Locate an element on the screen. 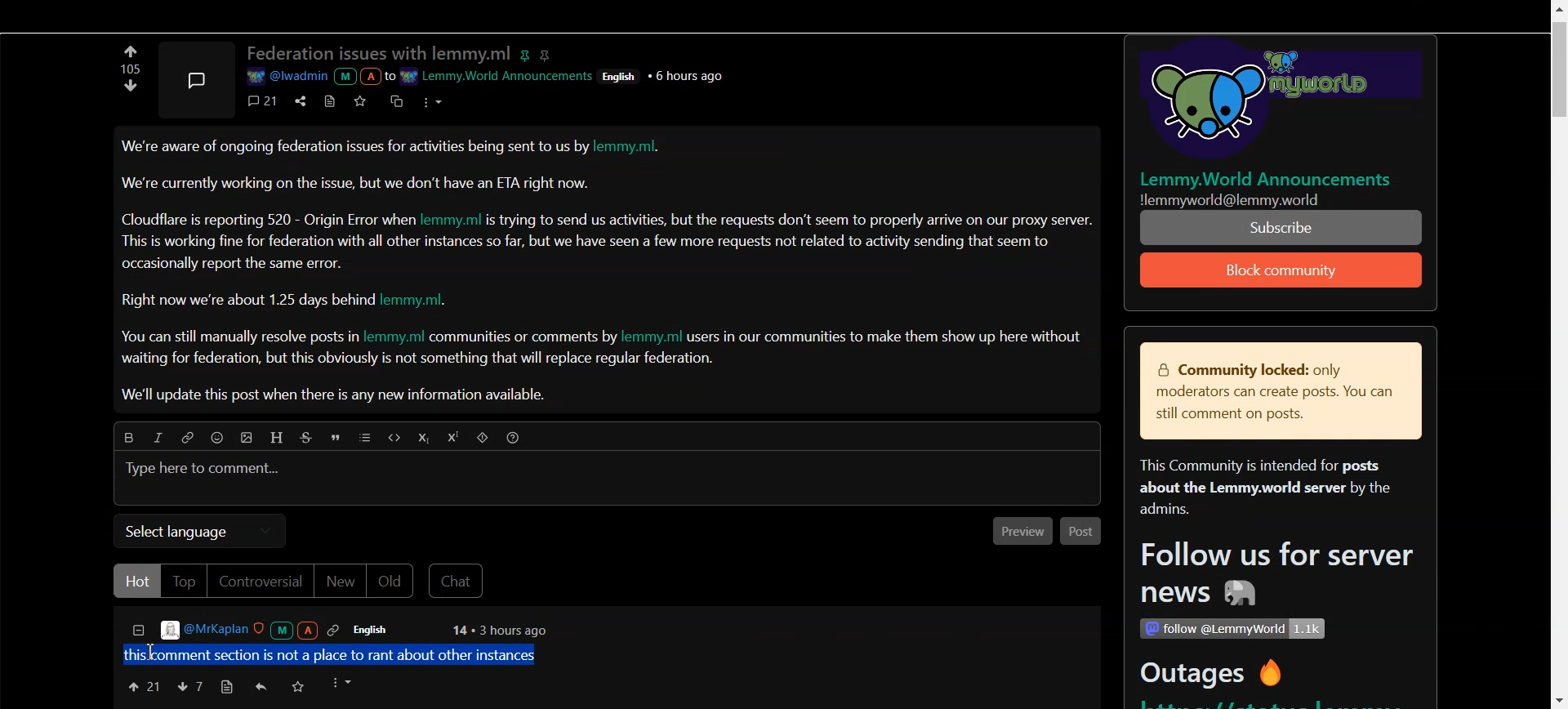 The width and height of the screenshot is (1568, 709). Old is located at coordinates (393, 582).